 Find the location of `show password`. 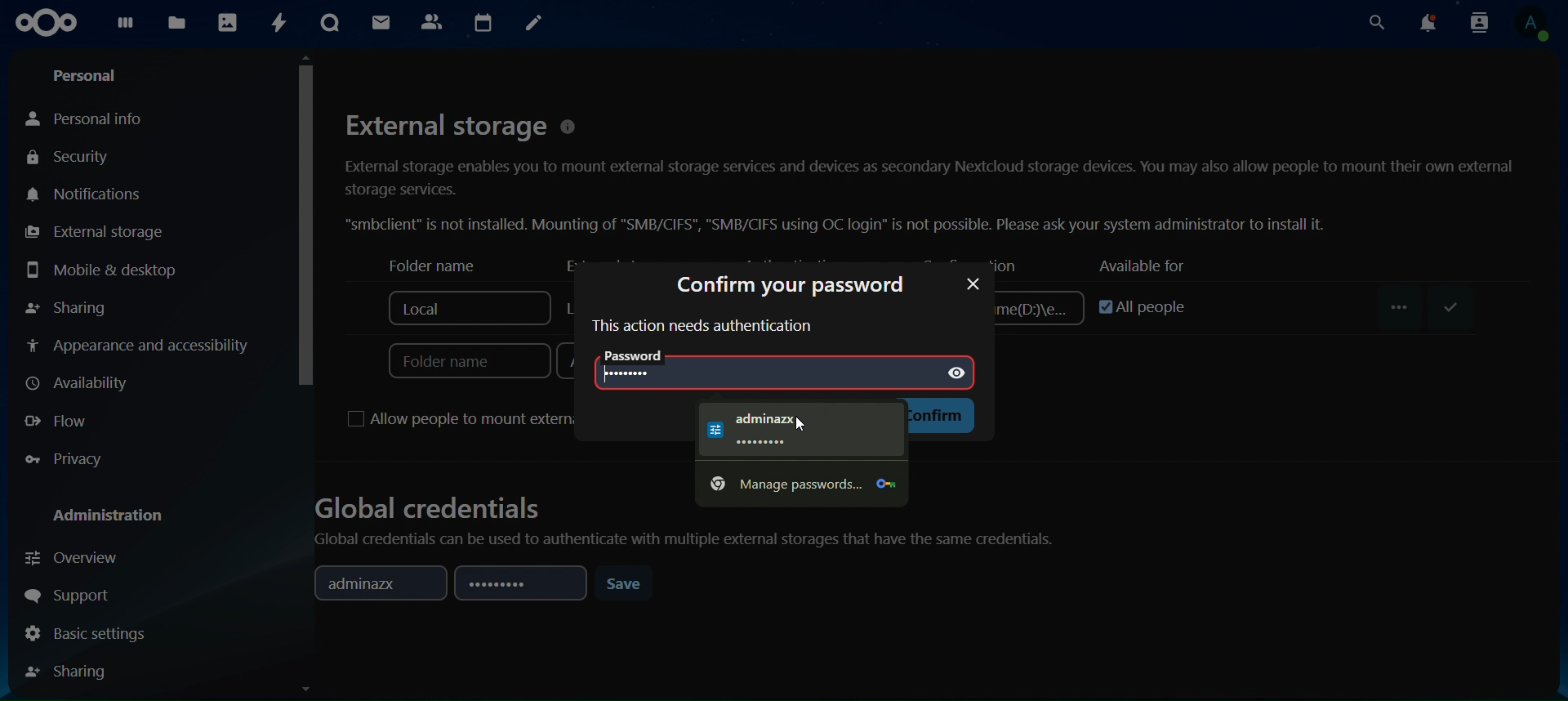

show password is located at coordinates (960, 371).